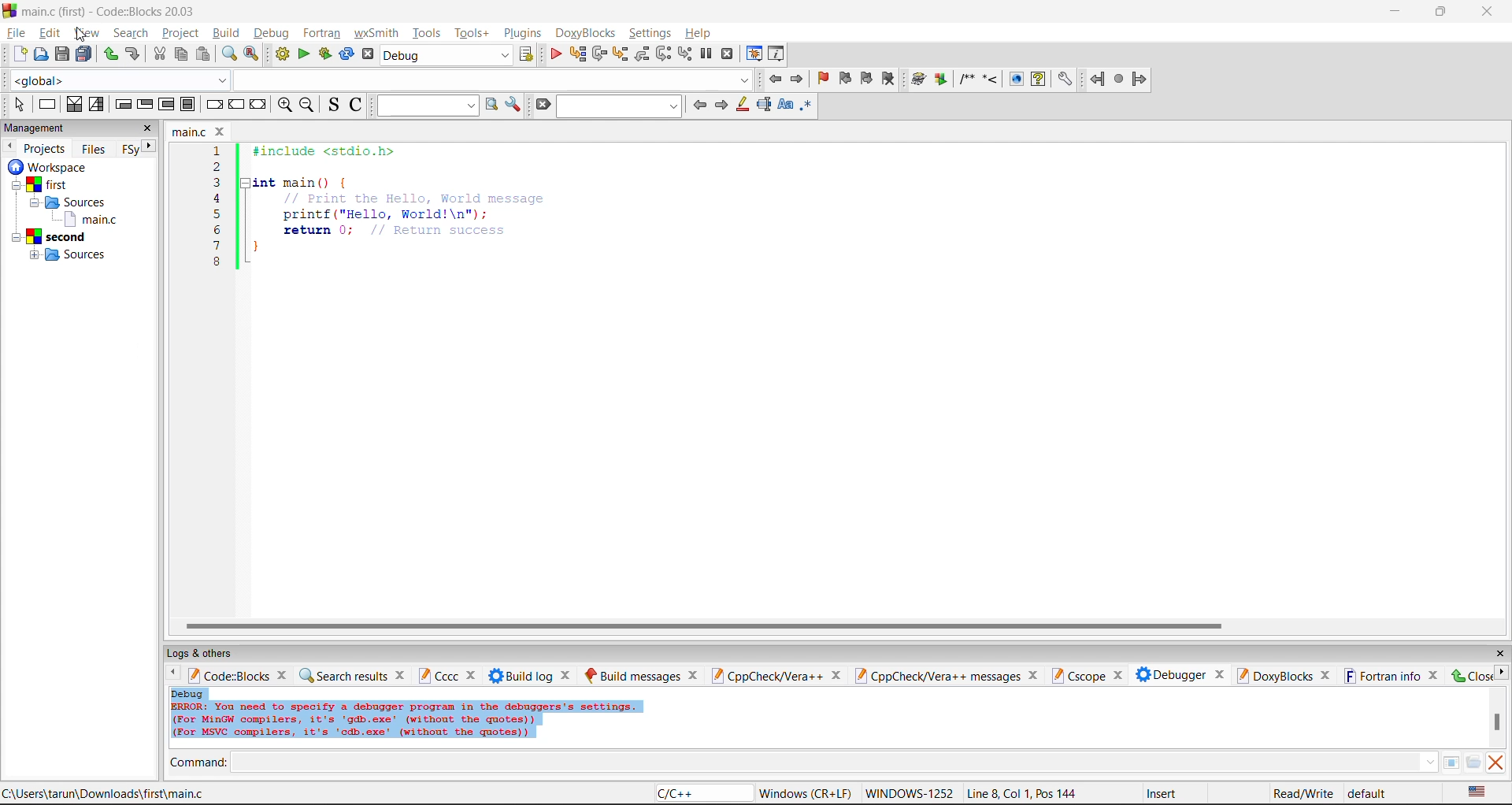 The image size is (1512, 805). I want to click on clear bookmarks, so click(891, 78).